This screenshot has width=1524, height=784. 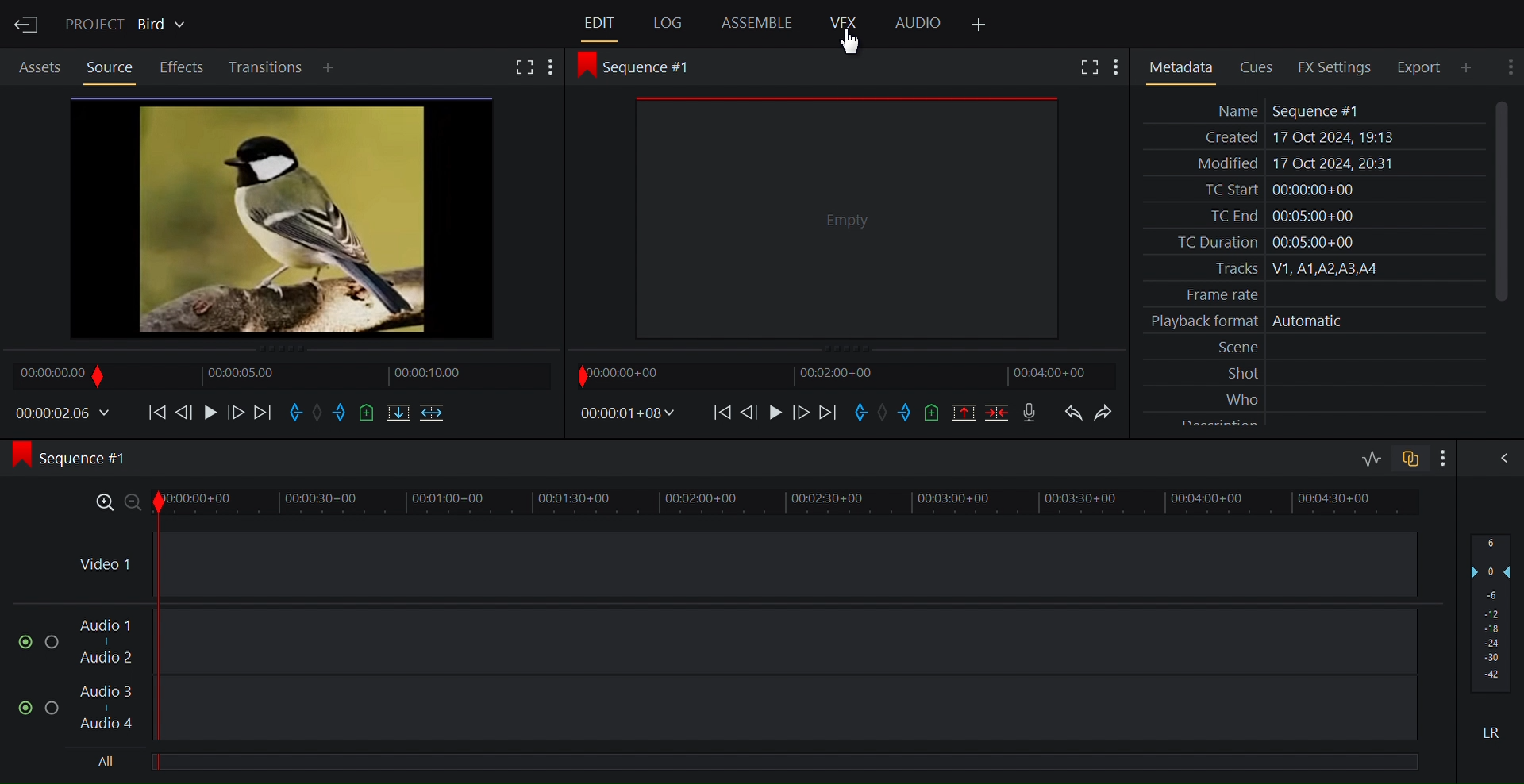 I want to click on Mute, so click(x=1491, y=730).